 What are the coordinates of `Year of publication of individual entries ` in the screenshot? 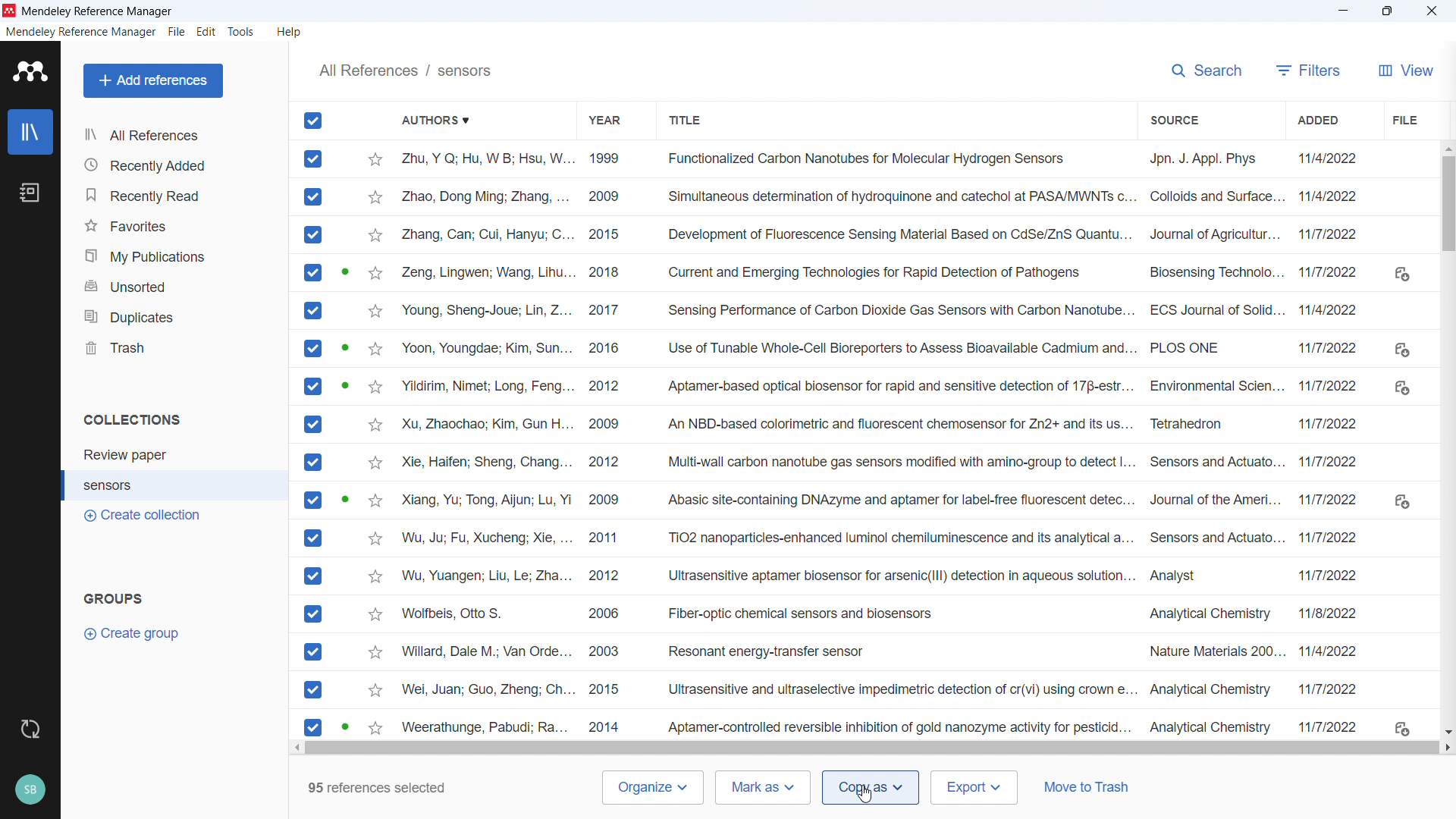 It's located at (604, 442).